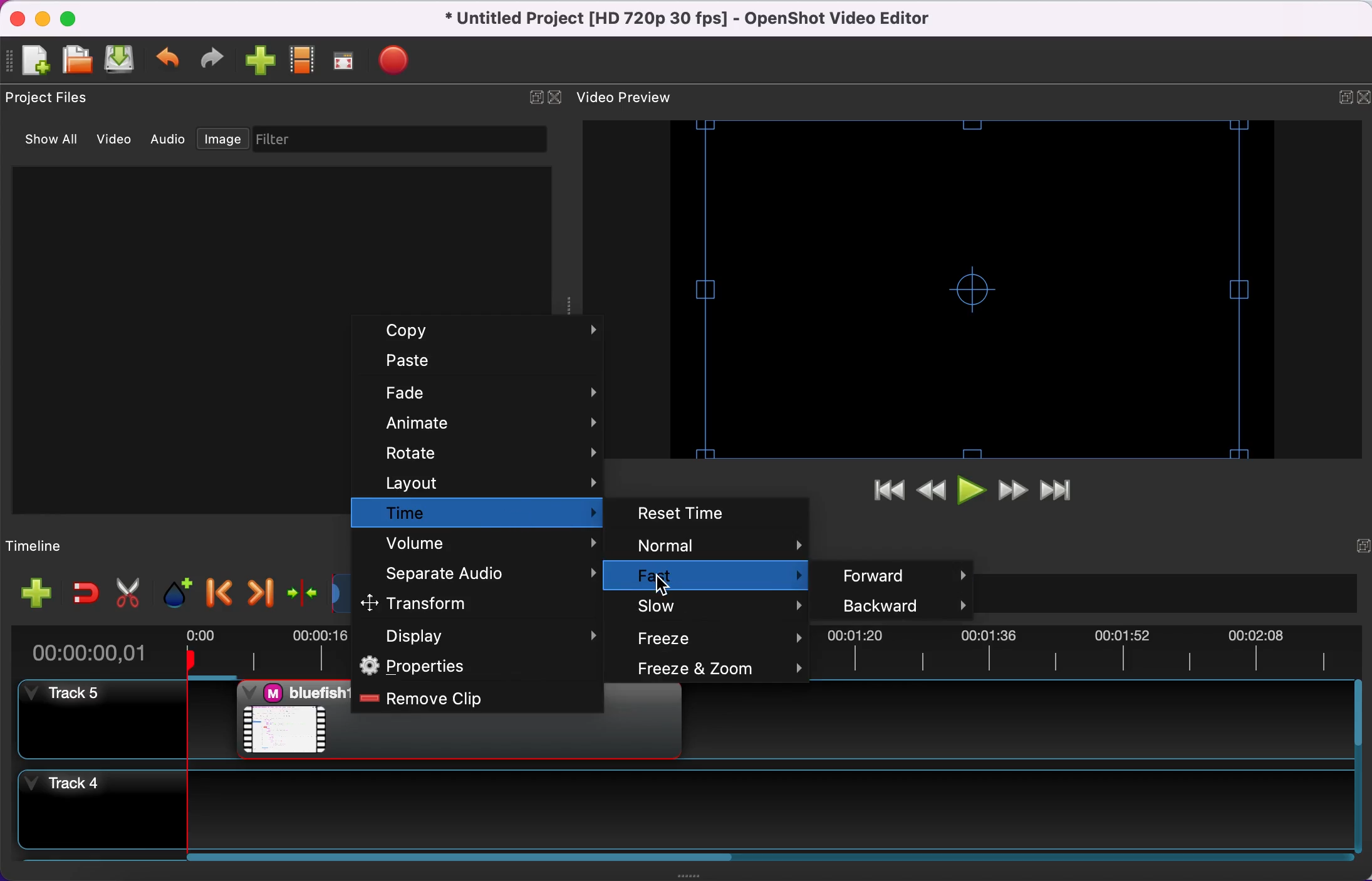 The image size is (1372, 881). I want to click on filter, so click(397, 140).